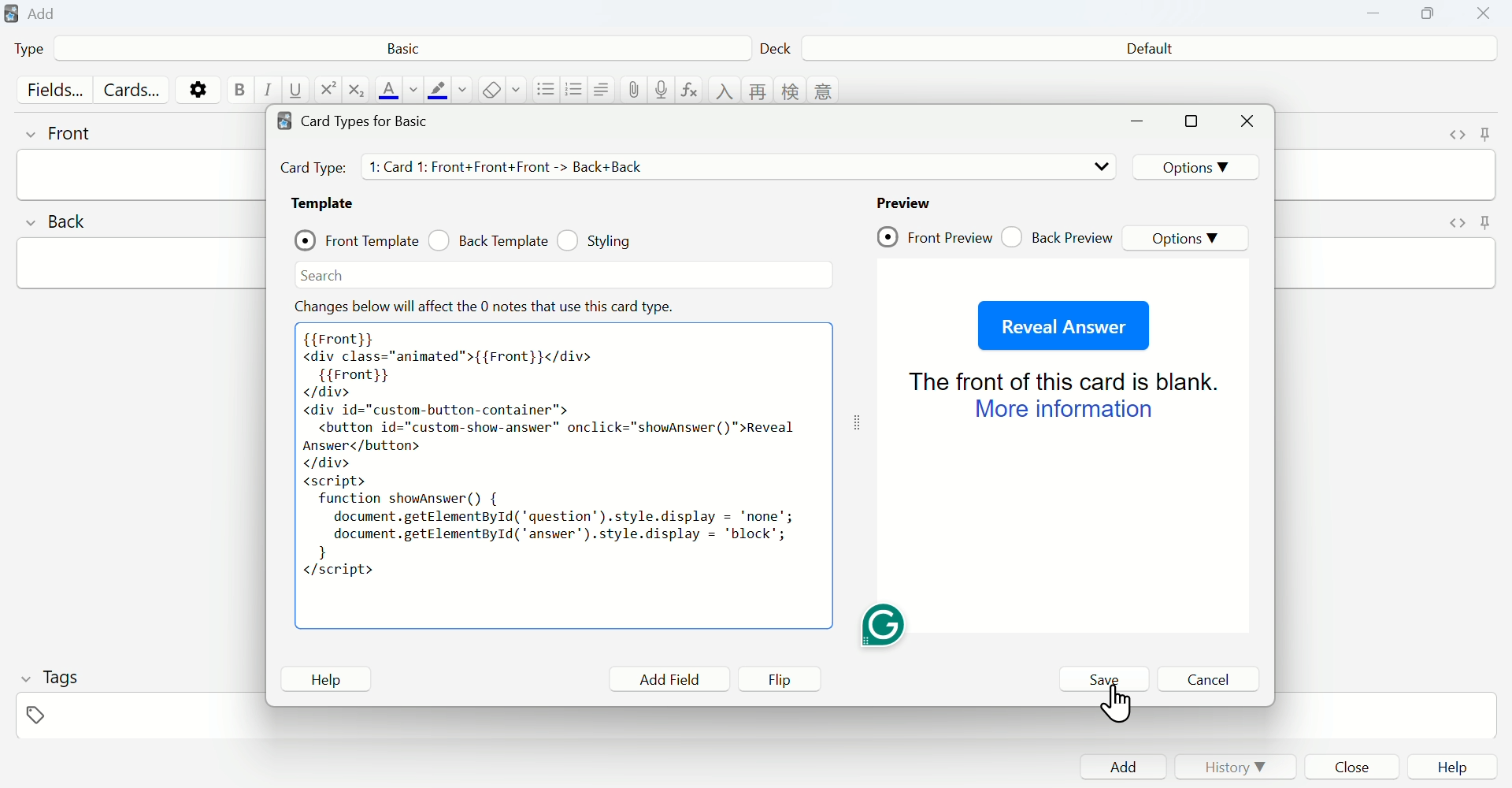 This screenshot has height=788, width=1512. What do you see at coordinates (52, 89) in the screenshot?
I see `Fields` at bounding box center [52, 89].